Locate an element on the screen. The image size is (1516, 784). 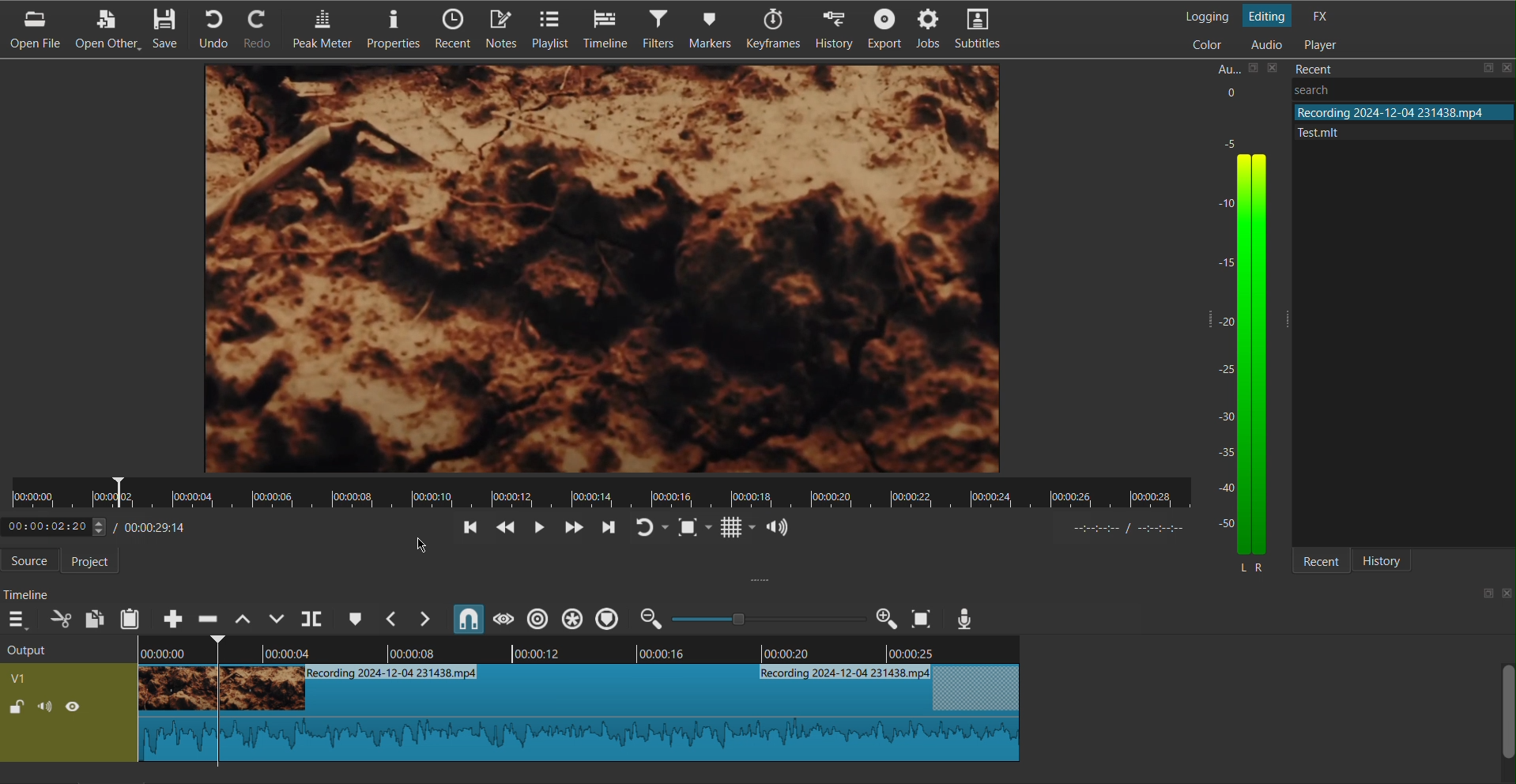
Editing is located at coordinates (1270, 14).